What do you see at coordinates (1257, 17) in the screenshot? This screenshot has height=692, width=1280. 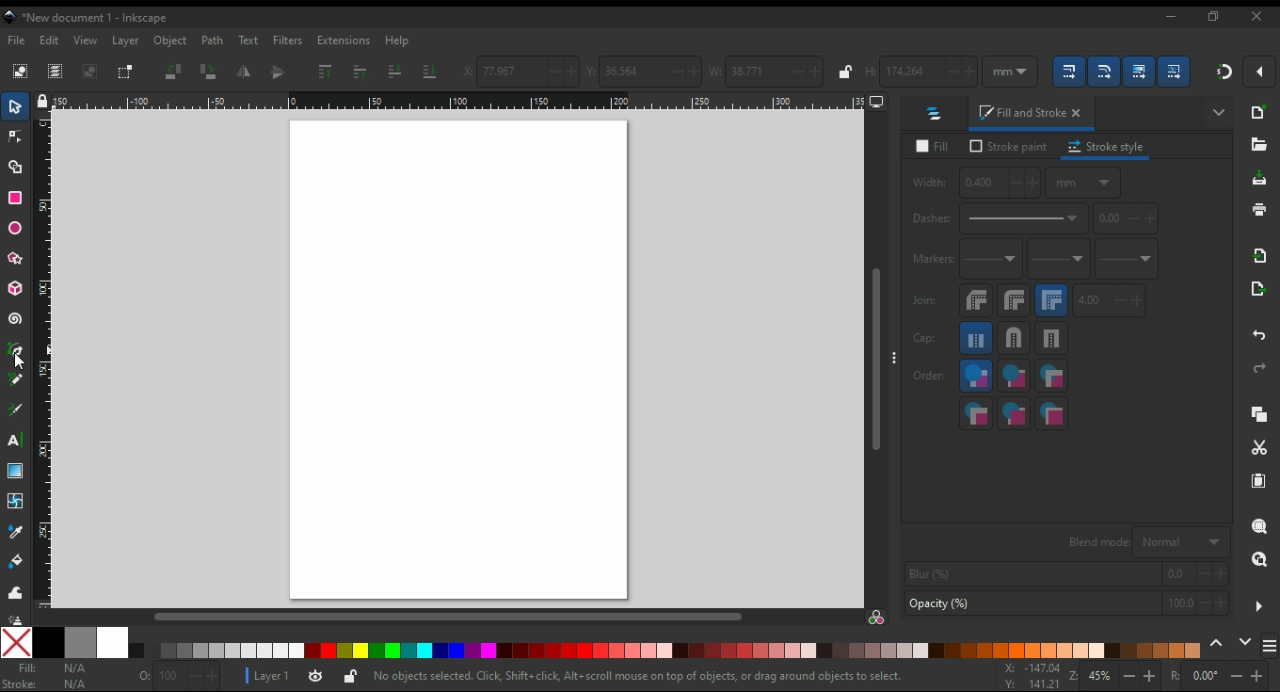 I see `close window` at bounding box center [1257, 17].